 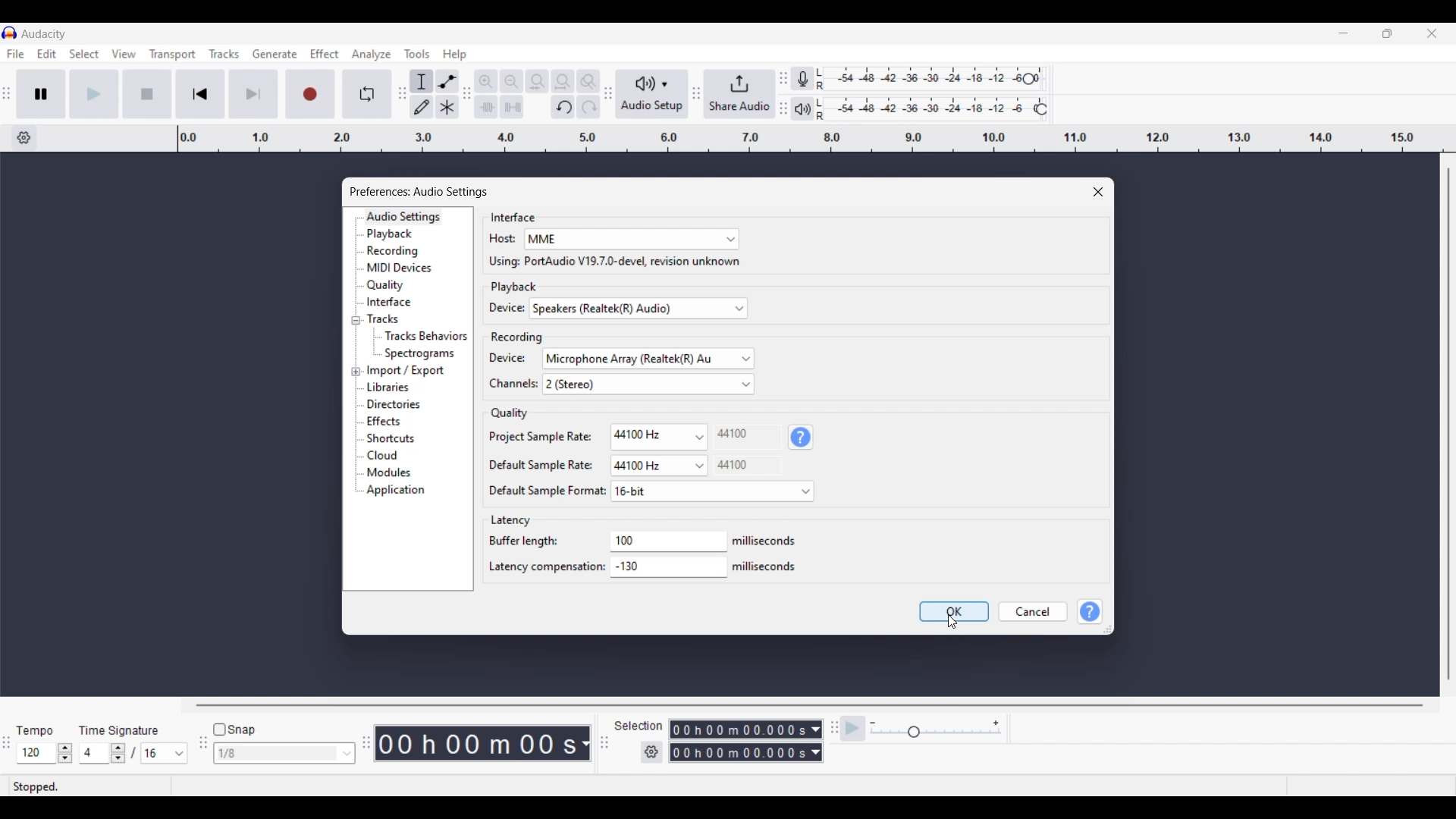 What do you see at coordinates (1098, 192) in the screenshot?
I see `Close window` at bounding box center [1098, 192].